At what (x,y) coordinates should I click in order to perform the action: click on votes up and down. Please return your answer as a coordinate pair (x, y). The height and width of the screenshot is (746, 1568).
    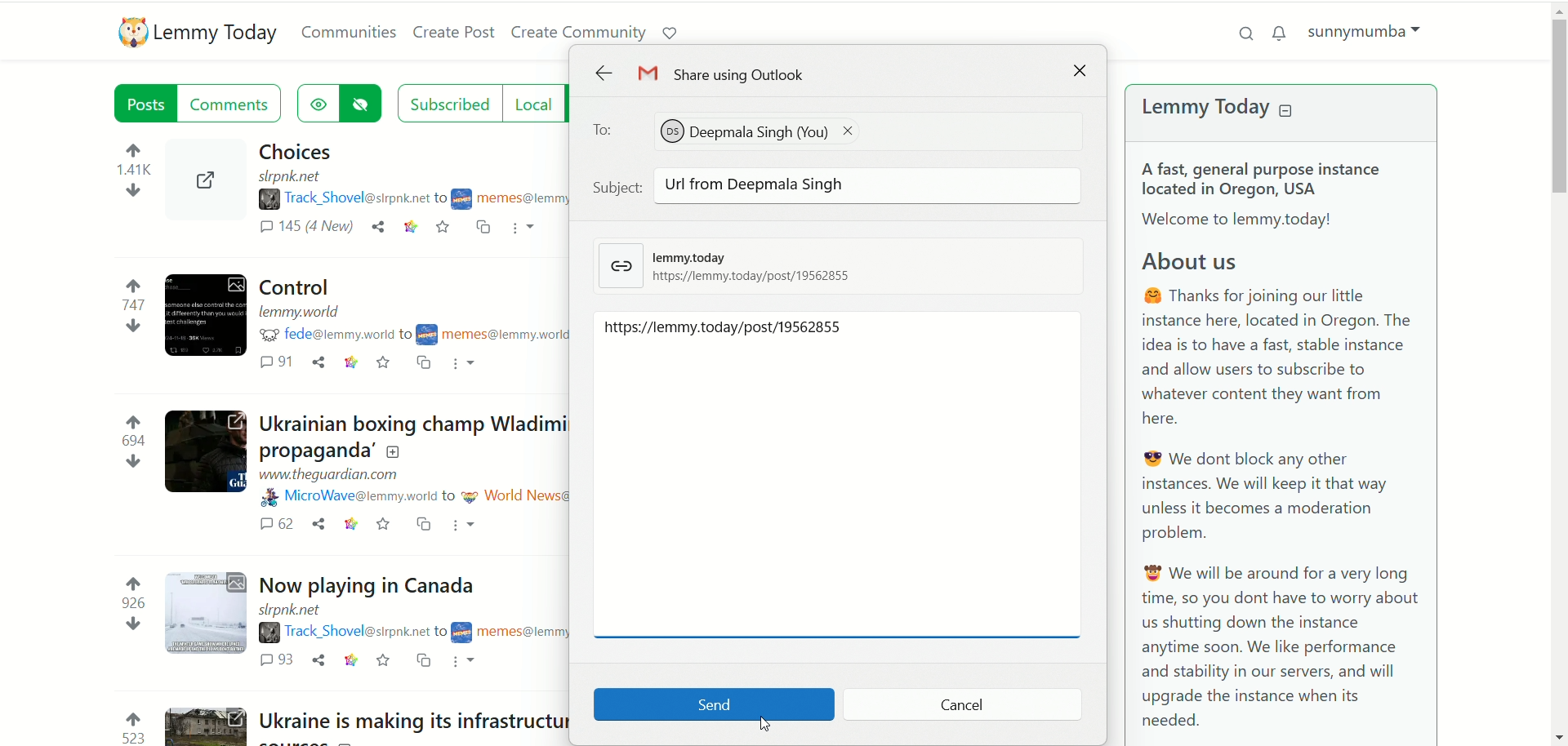
    Looking at the image, I should click on (127, 726).